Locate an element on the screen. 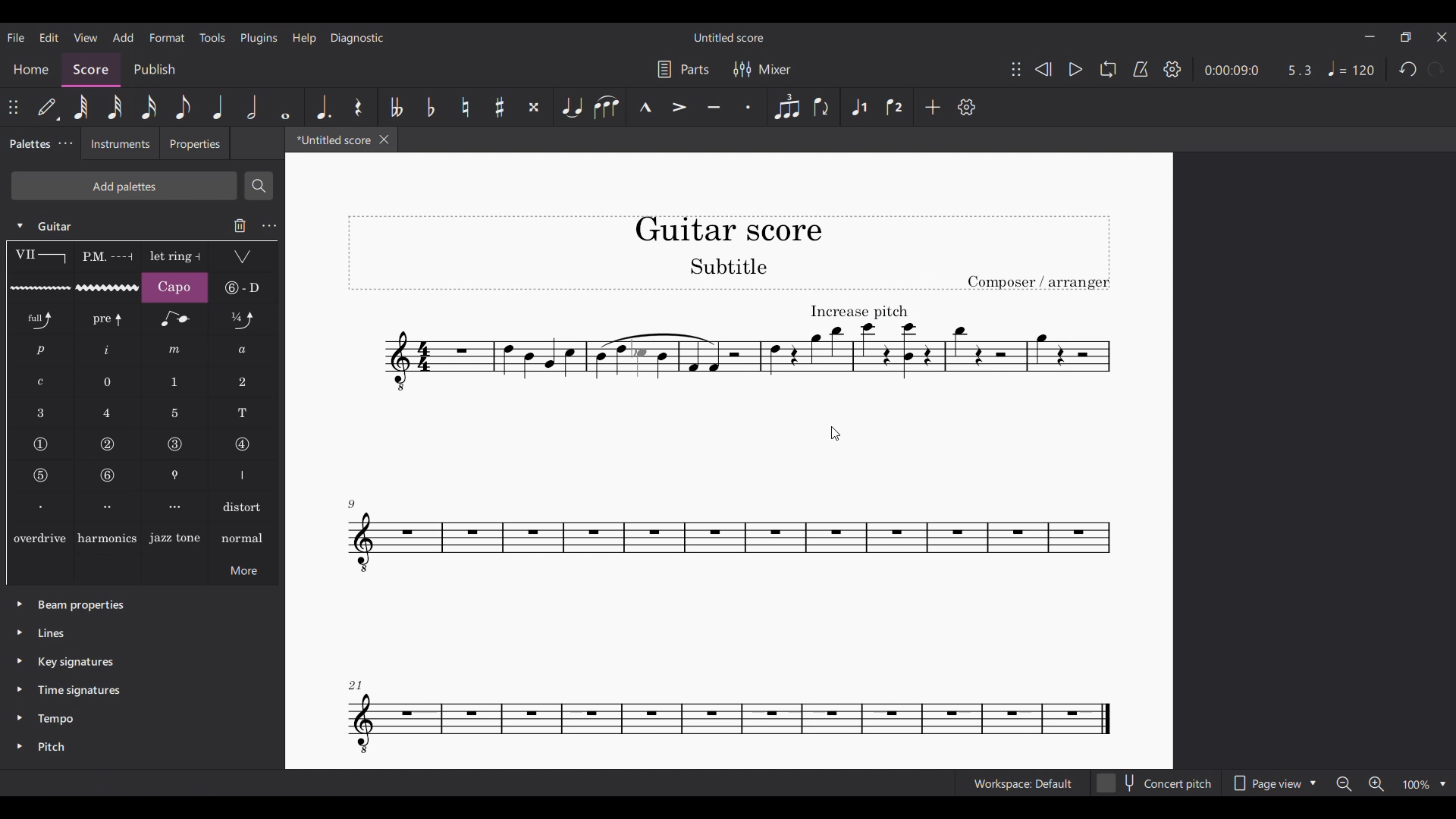  Settings is located at coordinates (1172, 69).